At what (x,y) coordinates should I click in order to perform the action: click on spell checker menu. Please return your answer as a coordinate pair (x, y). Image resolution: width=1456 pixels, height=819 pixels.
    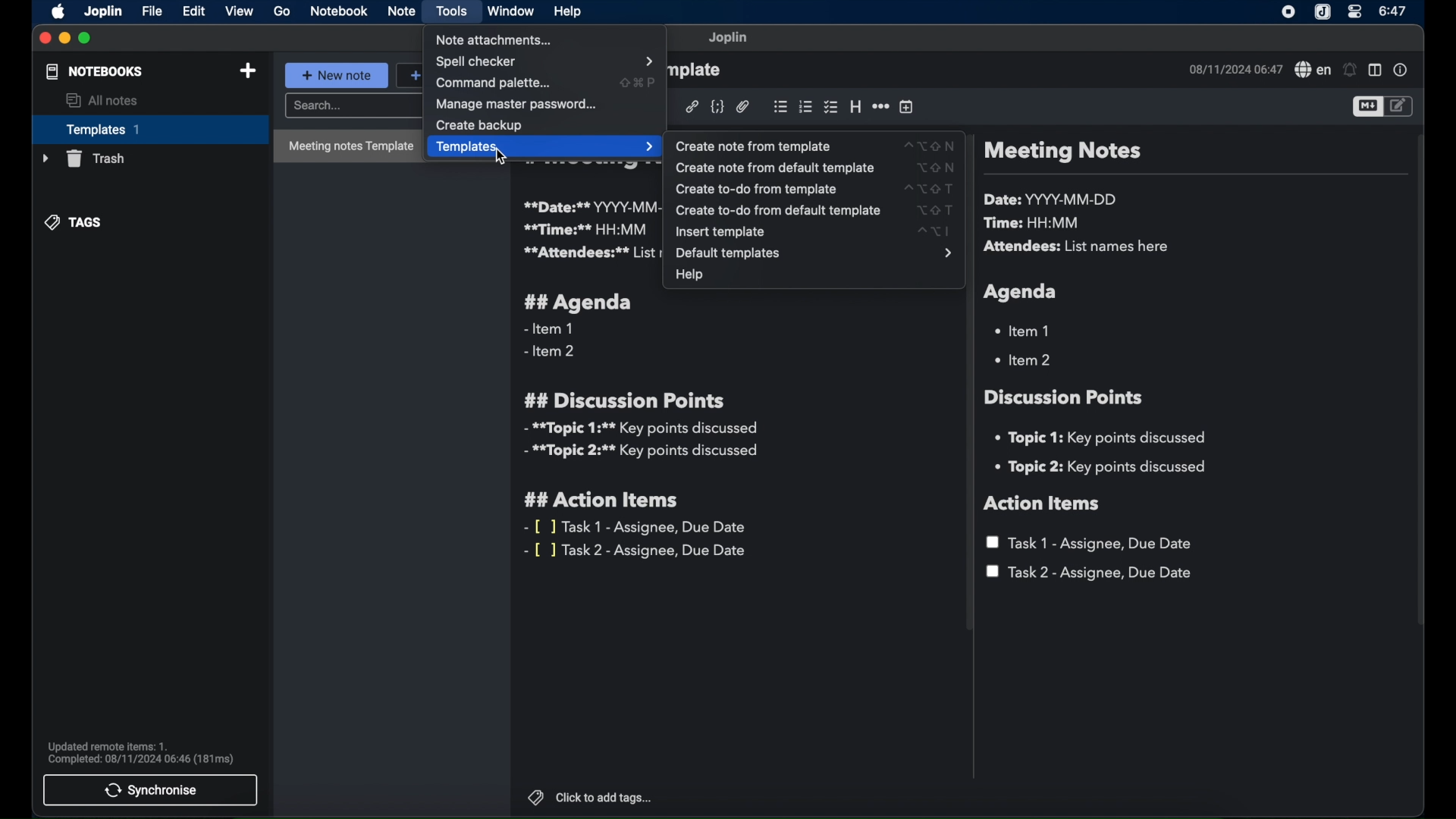
    Looking at the image, I should click on (546, 61).